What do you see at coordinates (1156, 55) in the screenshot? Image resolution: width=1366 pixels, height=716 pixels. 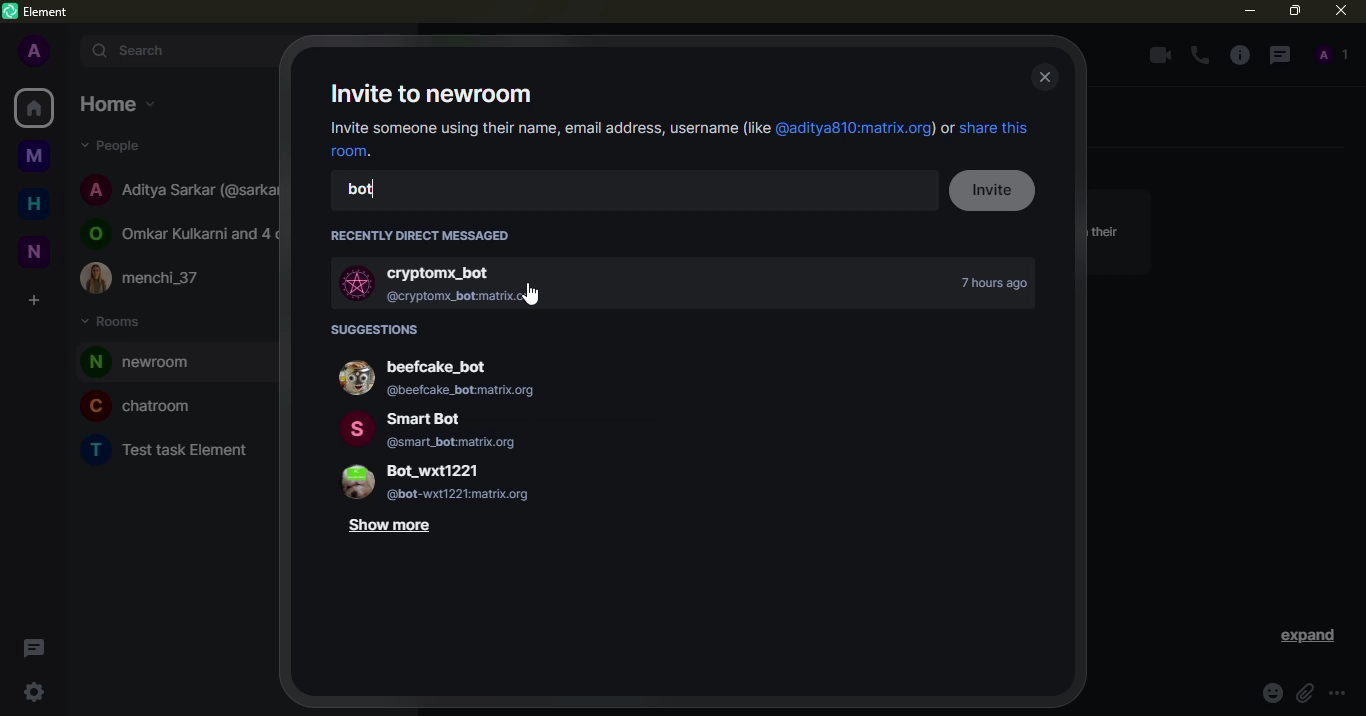 I see `video call` at bounding box center [1156, 55].